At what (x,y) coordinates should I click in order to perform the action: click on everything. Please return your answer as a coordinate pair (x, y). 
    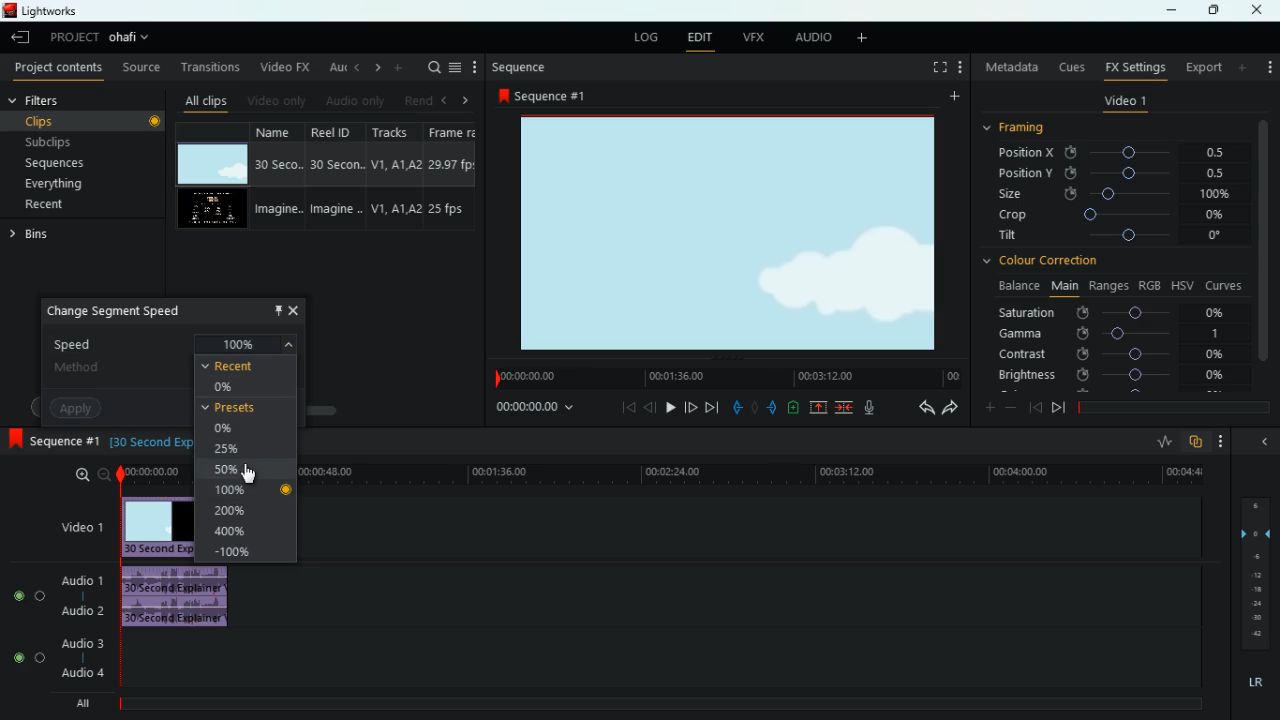
    Looking at the image, I should click on (73, 187).